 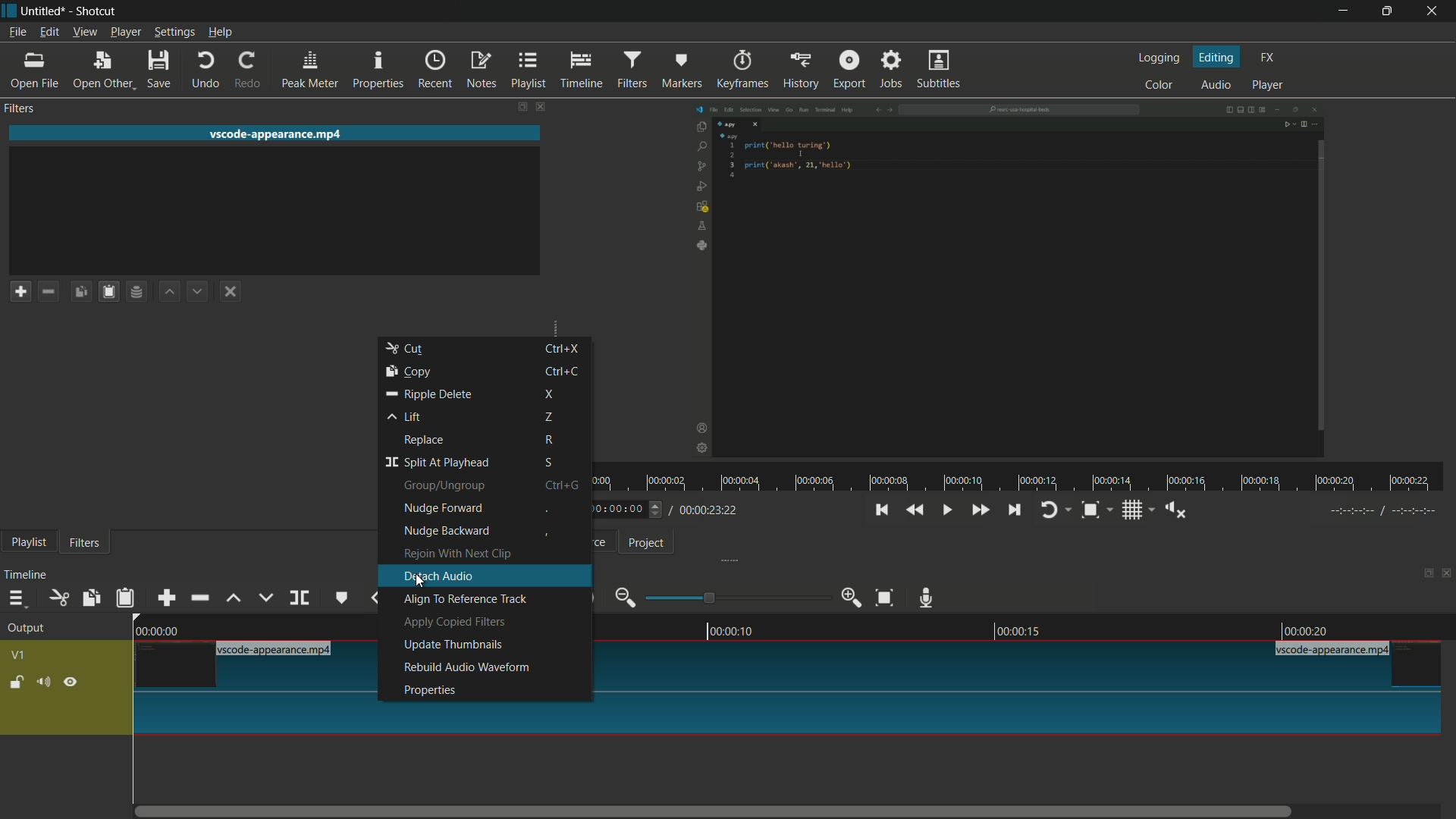 What do you see at coordinates (20, 109) in the screenshot?
I see `filters` at bounding box center [20, 109].